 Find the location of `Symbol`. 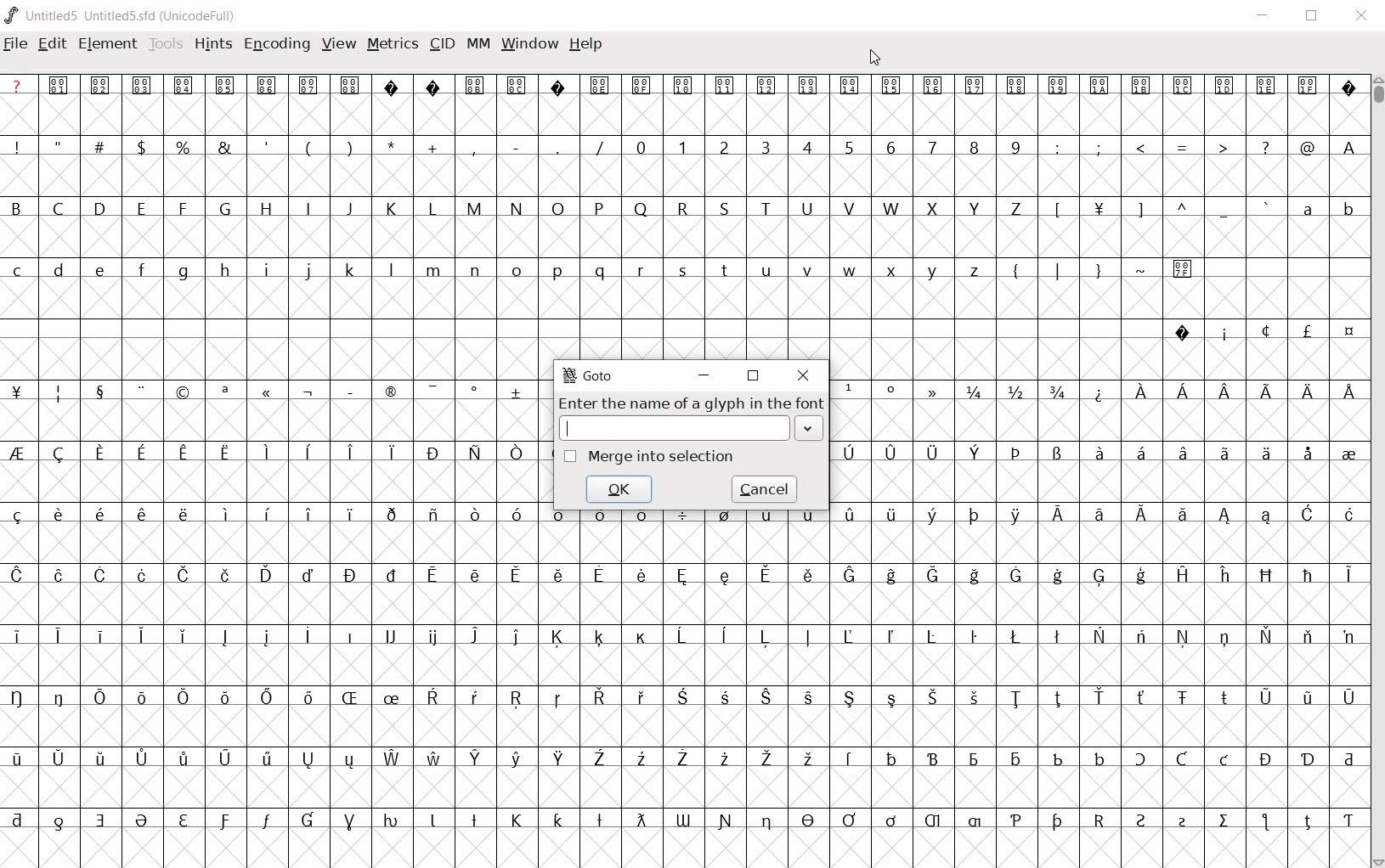

Symbol is located at coordinates (1100, 636).